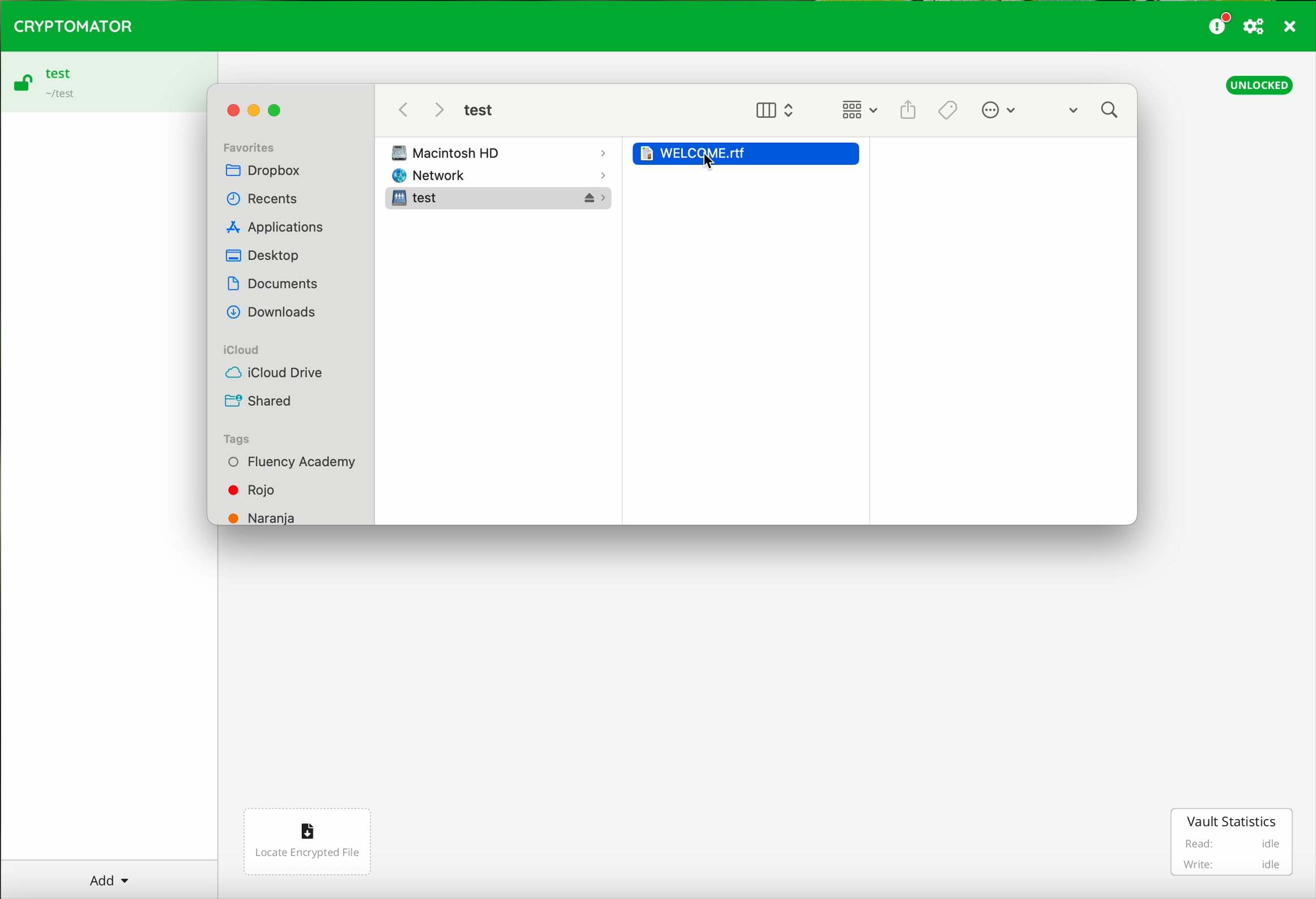 This screenshot has height=899, width=1316. Describe the element at coordinates (404, 110) in the screenshot. I see `back` at that location.